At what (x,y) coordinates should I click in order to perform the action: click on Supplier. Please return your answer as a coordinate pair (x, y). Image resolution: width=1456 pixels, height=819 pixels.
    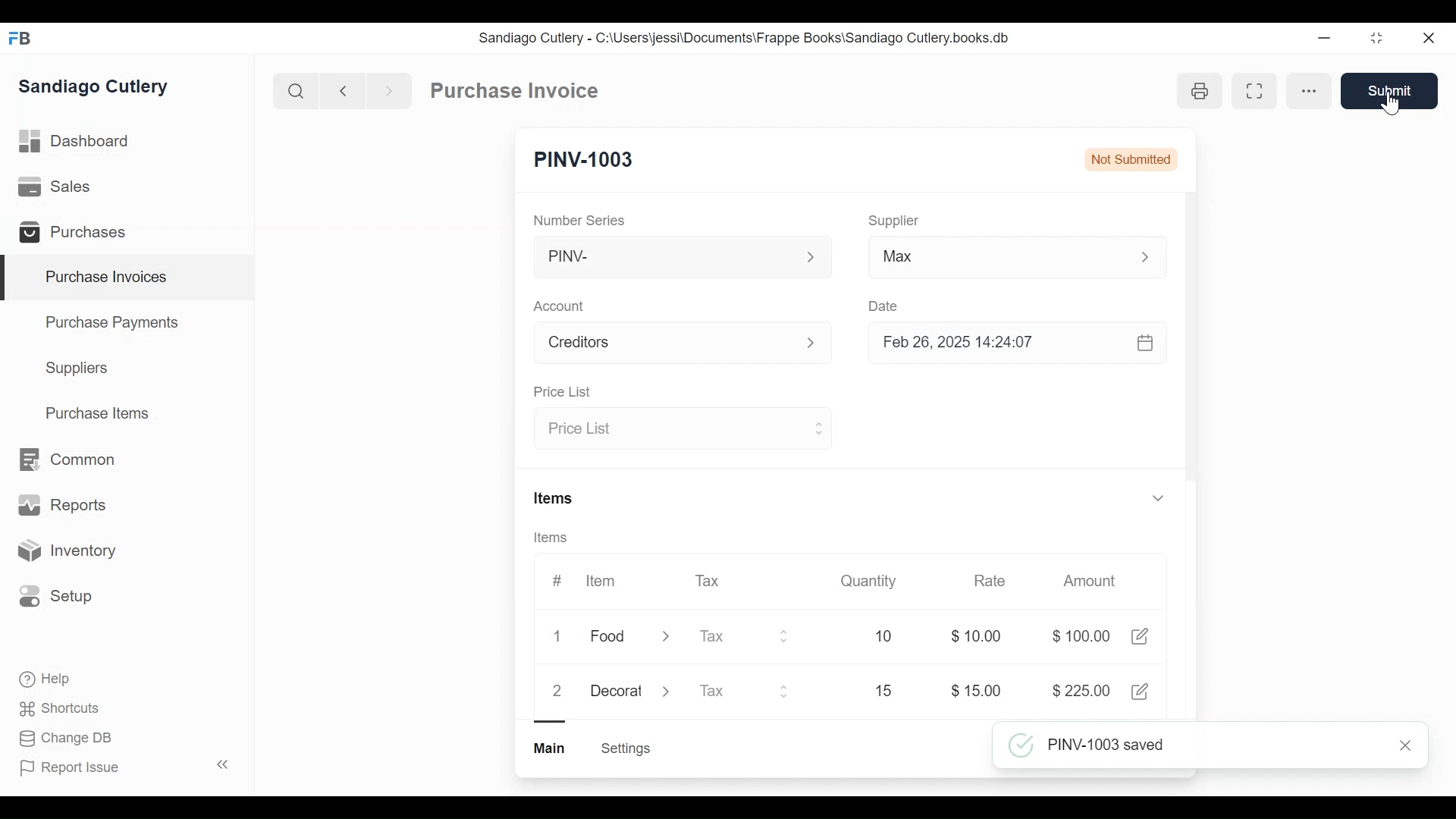
    Looking at the image, I should click on (894, 221).